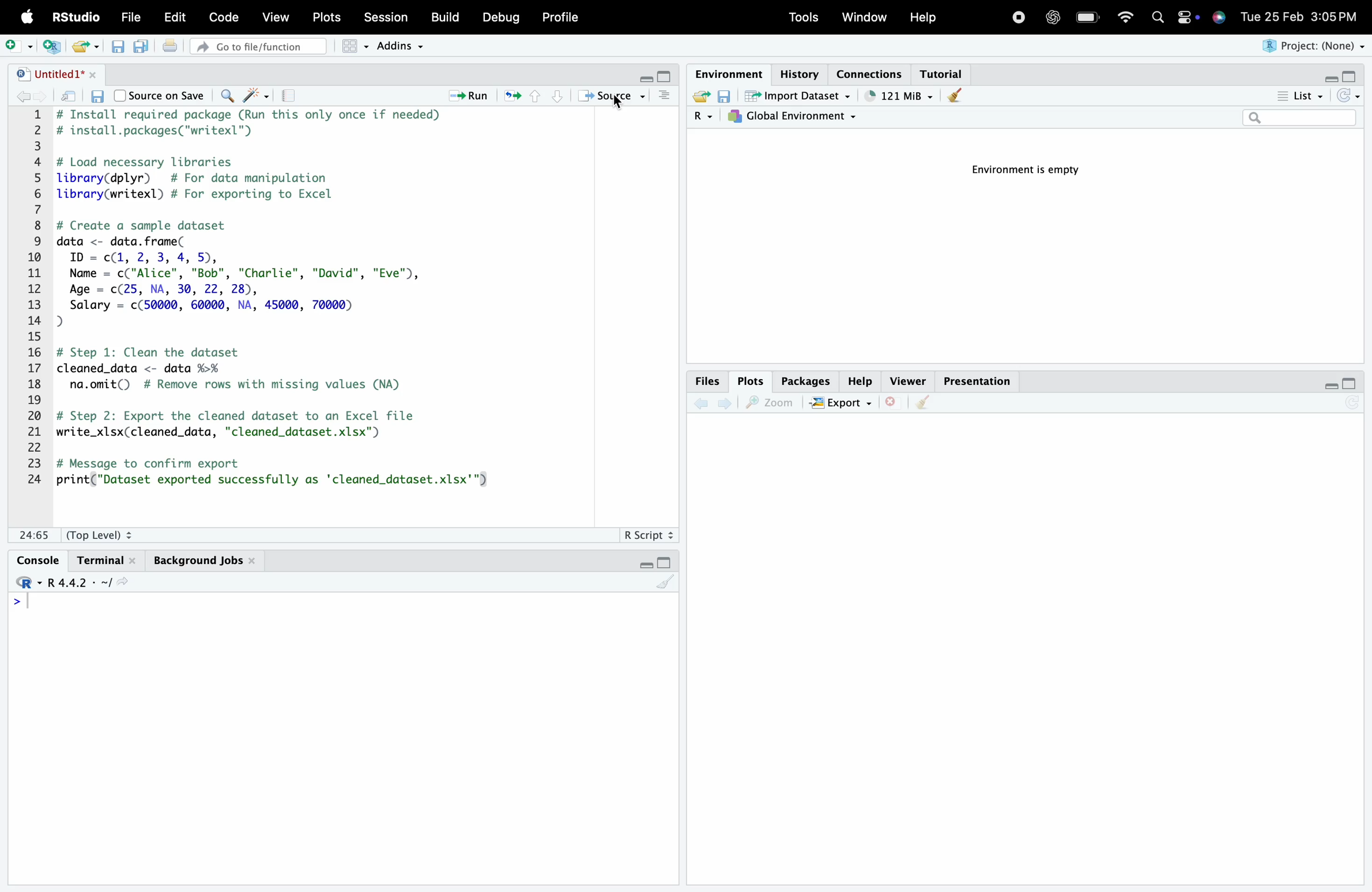 The image size is (1372, 892). Describe the element at coordinates (617, 106) in the screenshot. I see `Cursor` at that location.